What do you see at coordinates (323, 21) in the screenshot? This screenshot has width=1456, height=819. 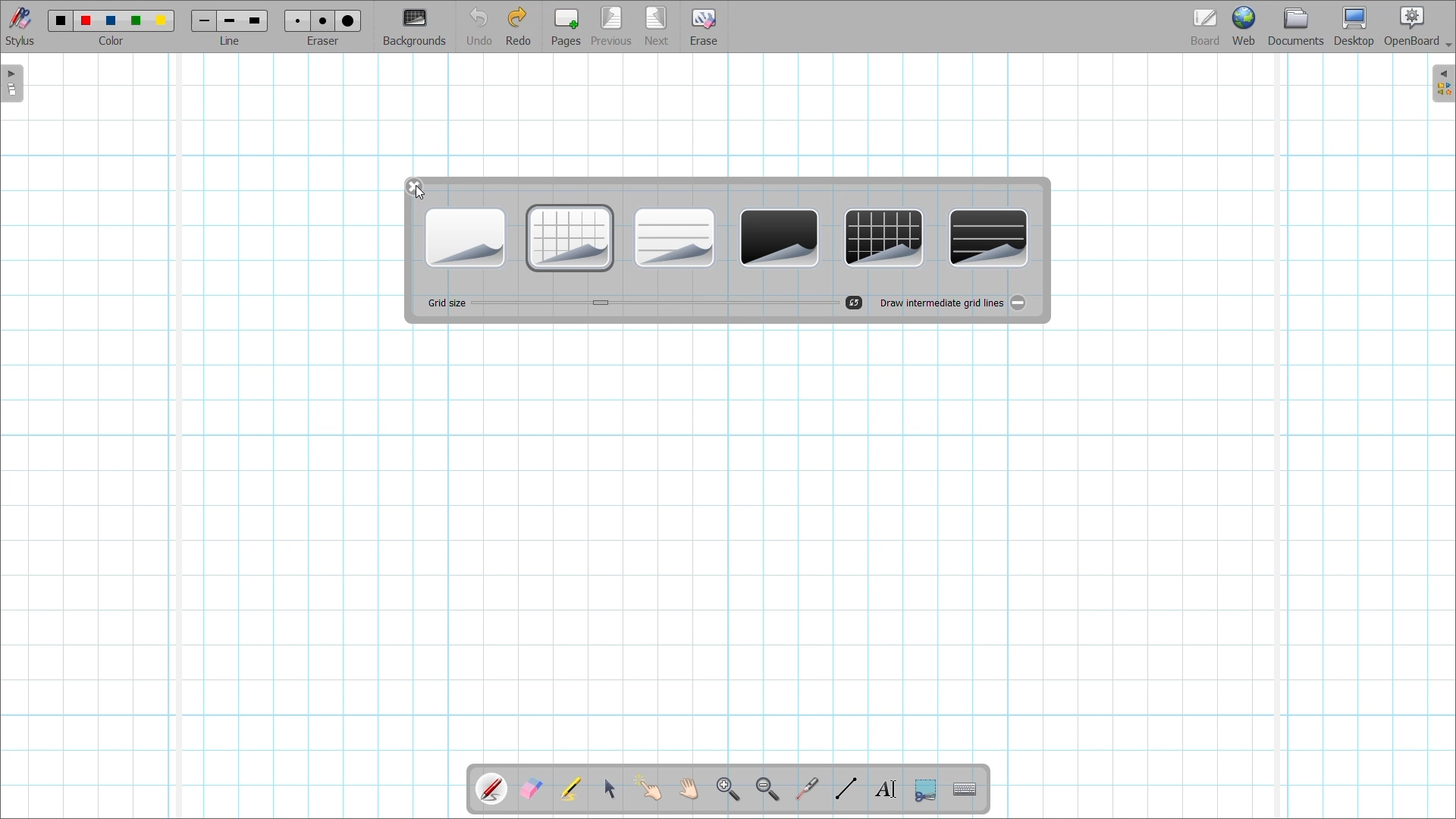 I see `Eraser thickness options` at bounding box center [323, 21].